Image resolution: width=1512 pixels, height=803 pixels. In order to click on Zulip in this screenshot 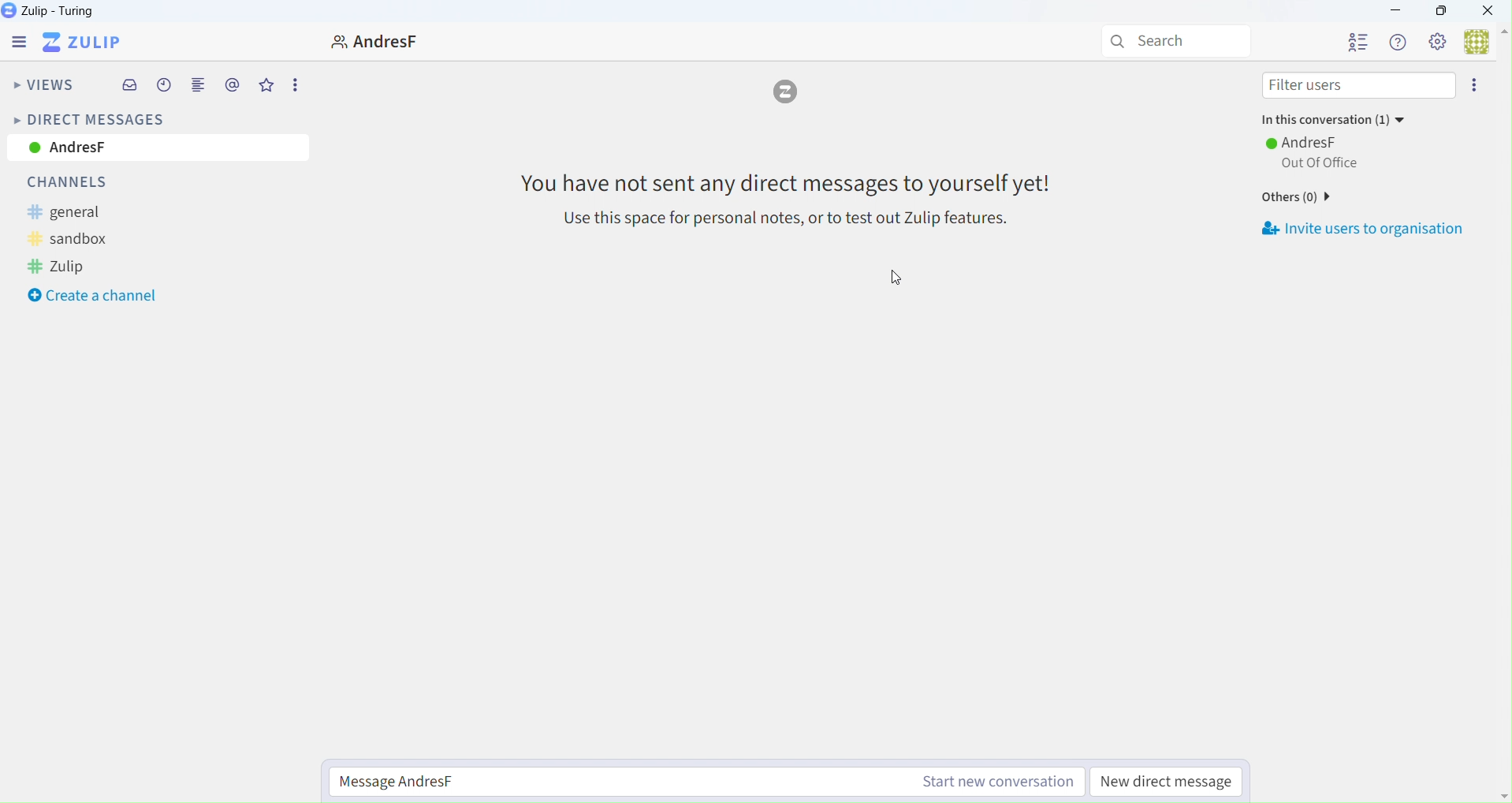, I will do `click(73, 267)`.